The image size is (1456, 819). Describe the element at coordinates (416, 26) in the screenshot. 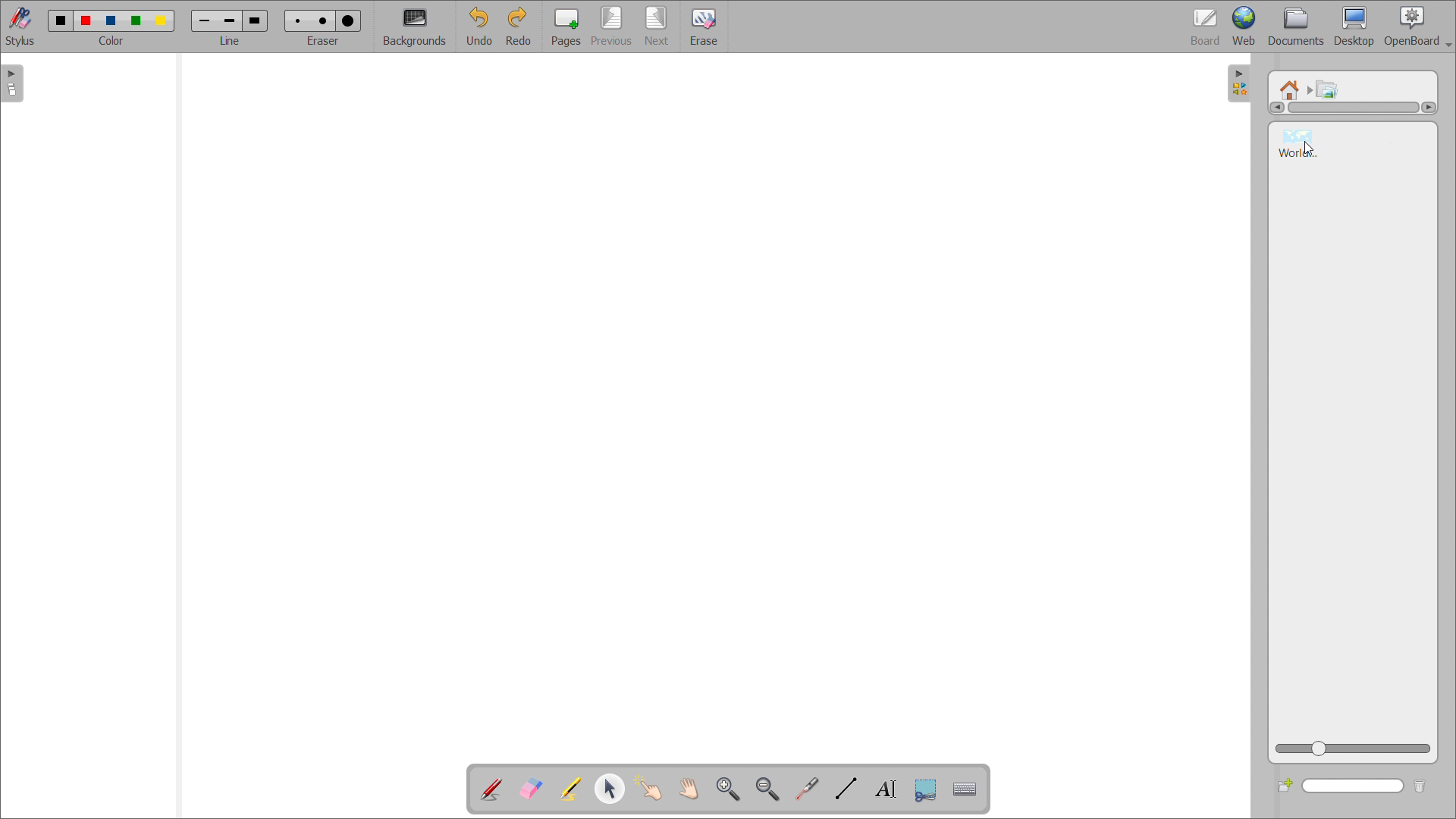

I see `backgrounds` at that location.